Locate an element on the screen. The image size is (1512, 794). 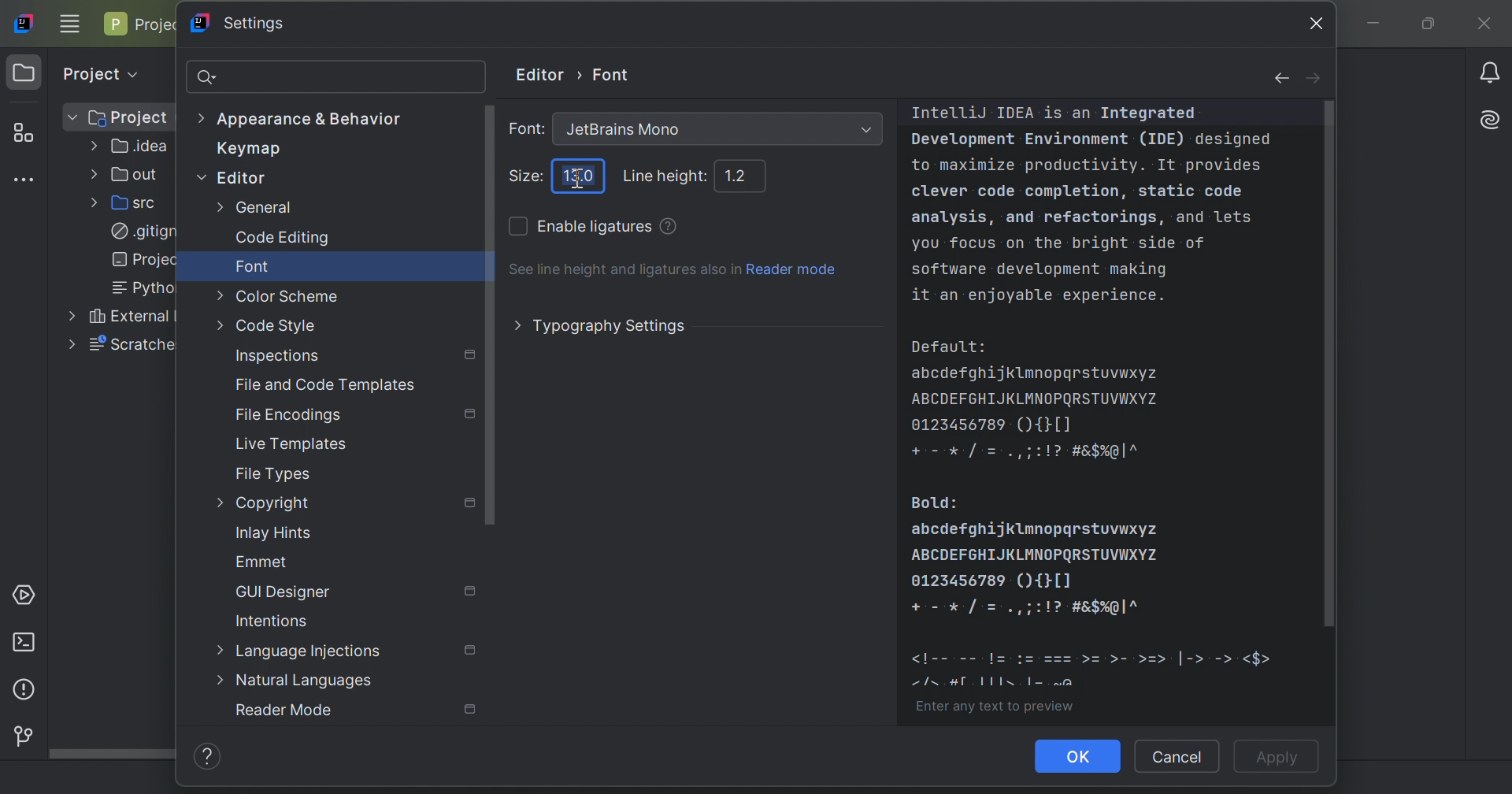
to maximize productivity. It provides is located at coordinates (1086, 164).